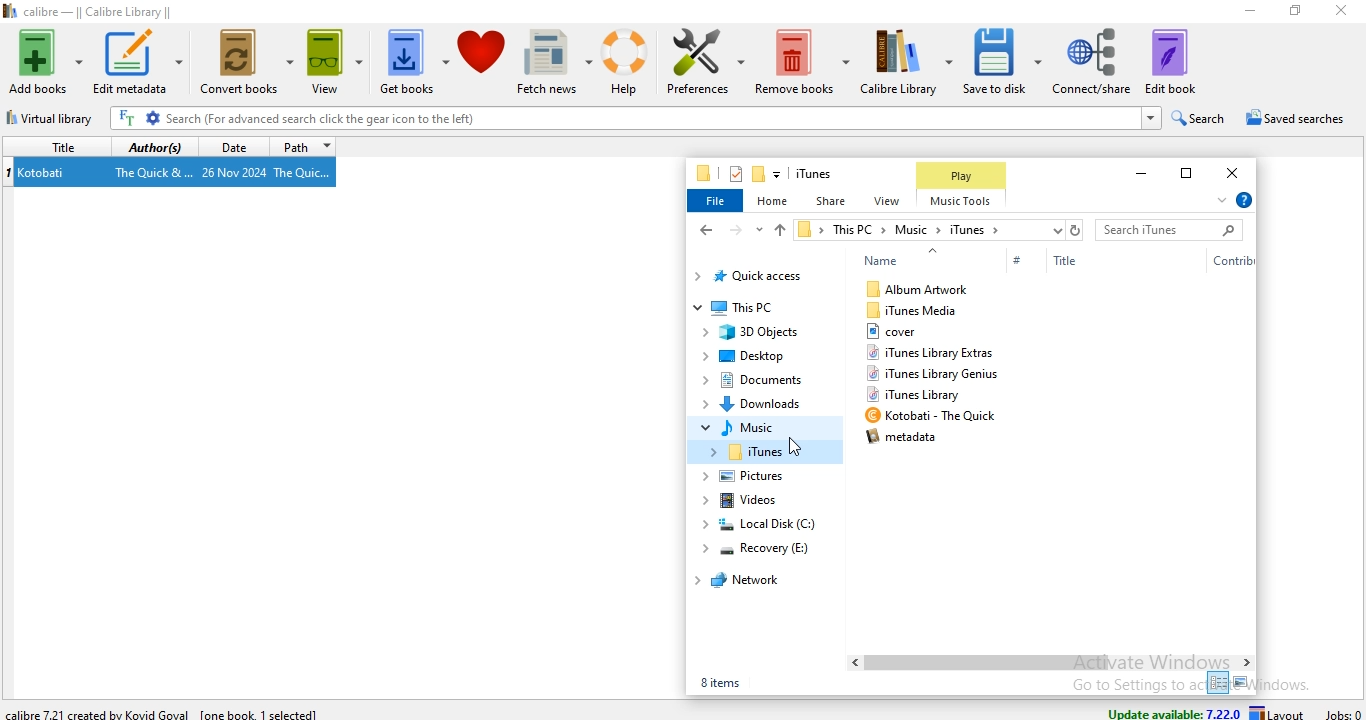  What do you see at coordinates (744, 453) in the screenshot?
I see `iTunes` at bounding box center [744, 453].